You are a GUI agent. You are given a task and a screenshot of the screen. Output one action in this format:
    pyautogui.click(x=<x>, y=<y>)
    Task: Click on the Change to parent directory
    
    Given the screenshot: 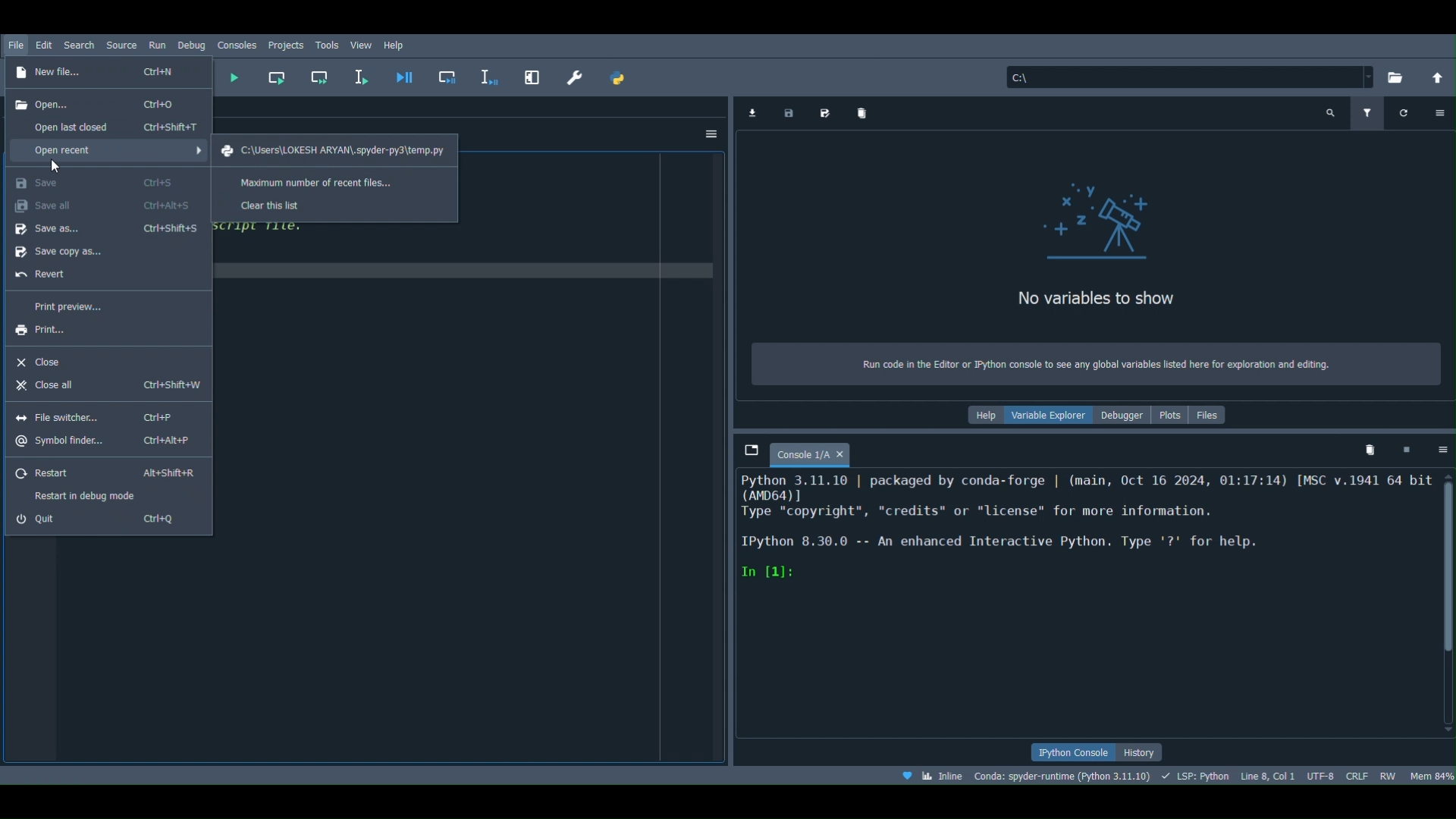 What is the action you would take?
    pyautogui.click(x=1429, y=73)
    